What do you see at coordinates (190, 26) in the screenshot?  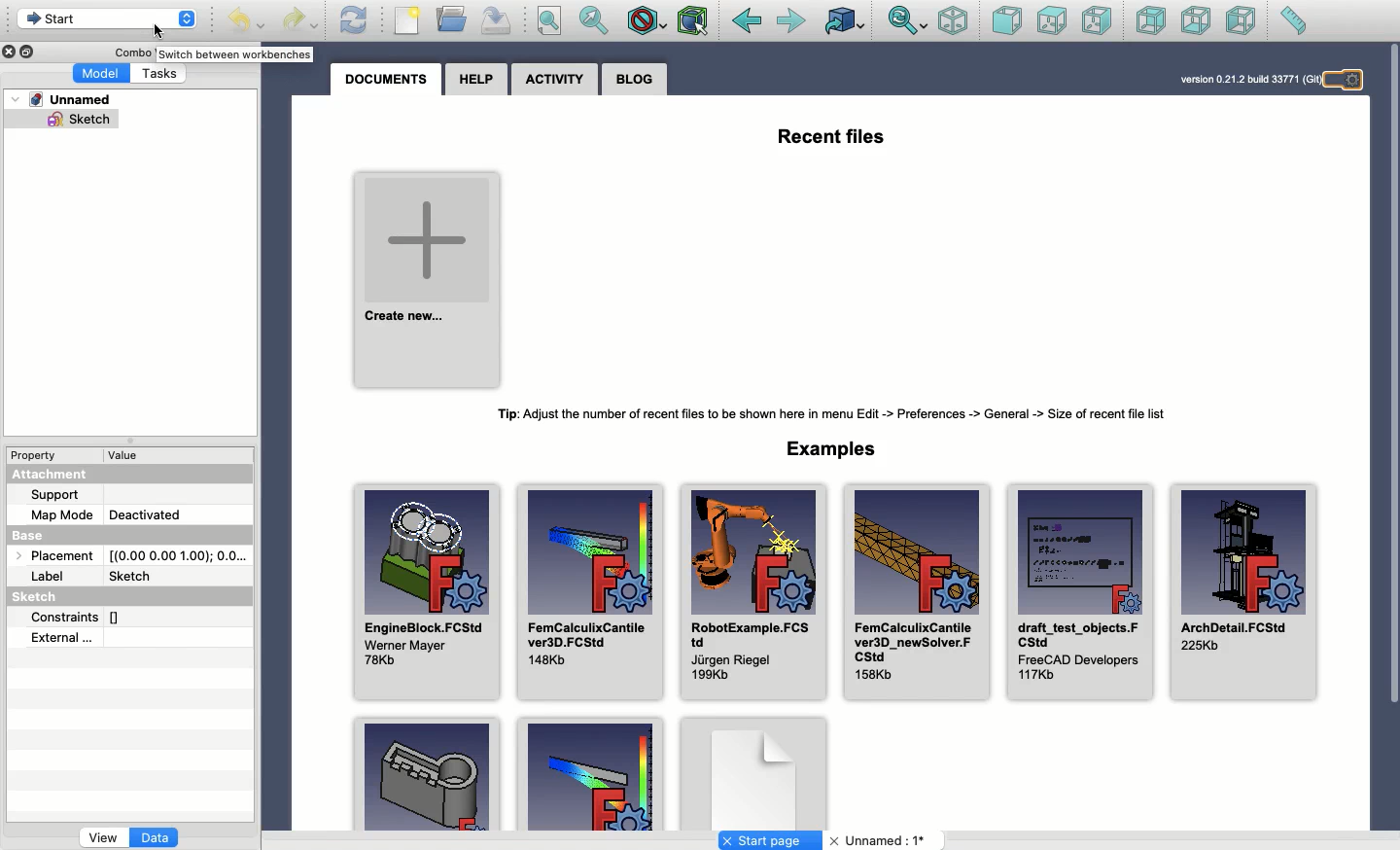 I see `Down arrow` at bounding box center [190, 26].